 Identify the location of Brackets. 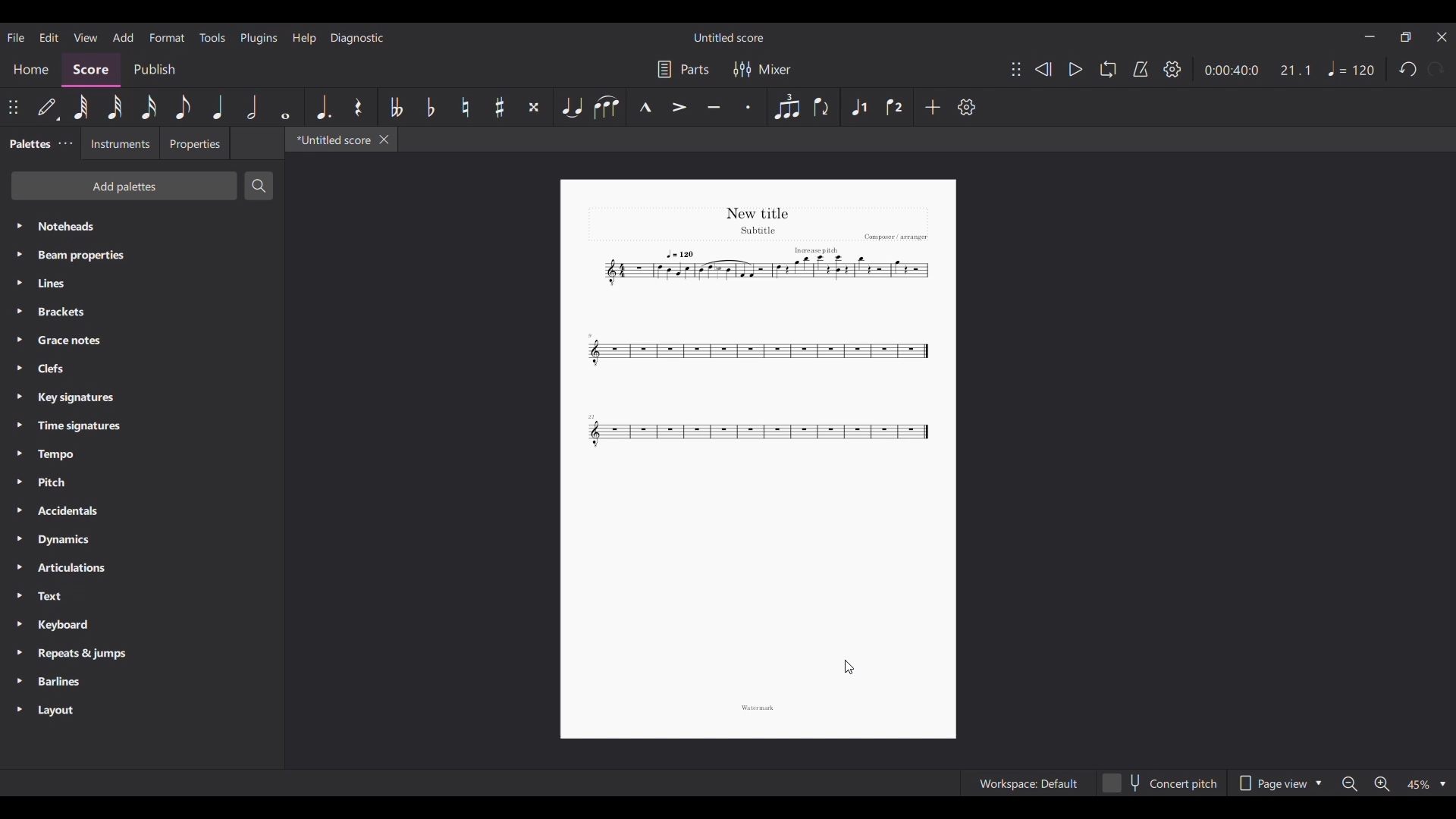
(142, 312).